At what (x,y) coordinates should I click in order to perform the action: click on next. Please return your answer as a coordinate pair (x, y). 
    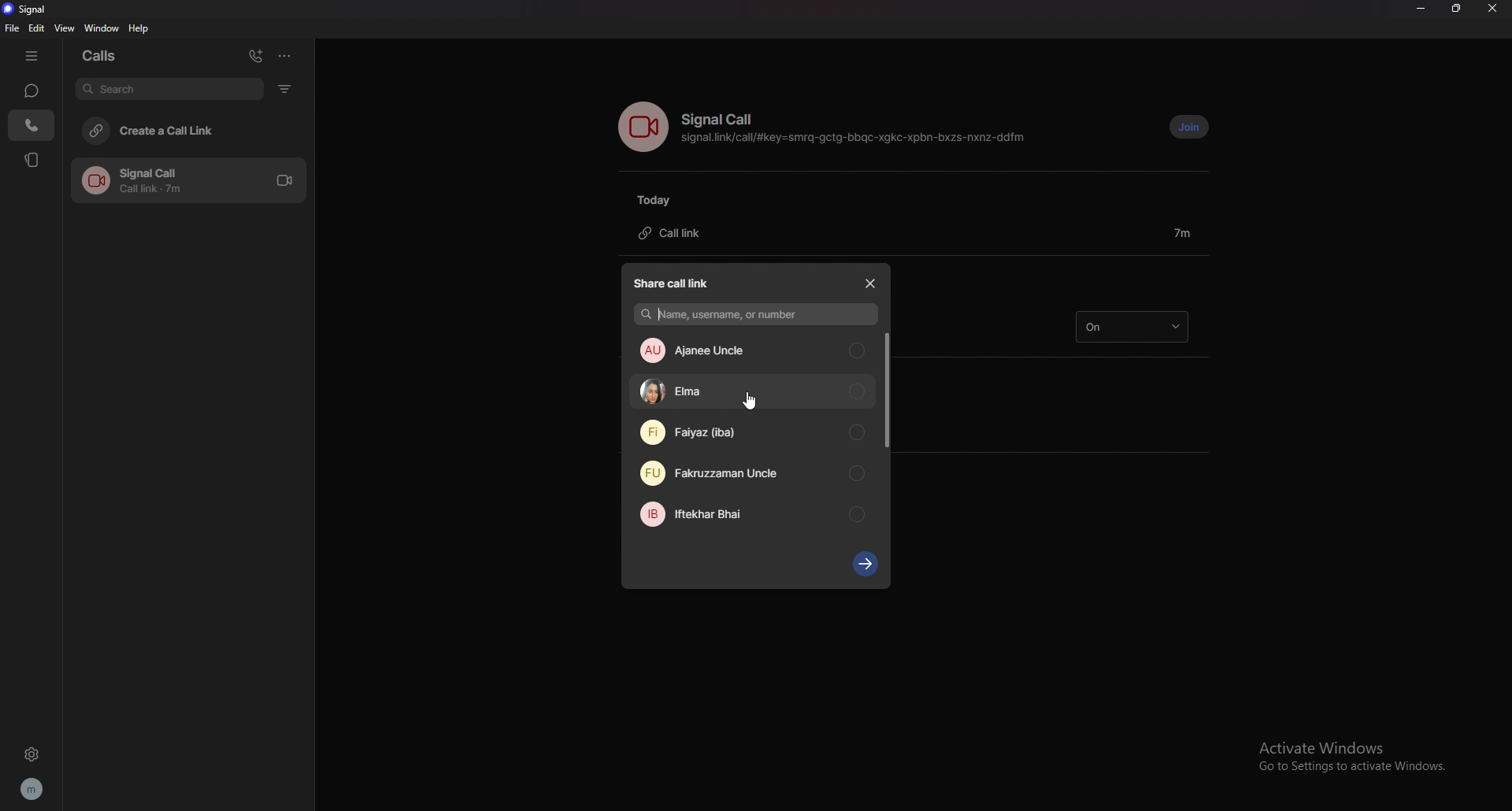
    Looking at the image, I should click on (866, 564).